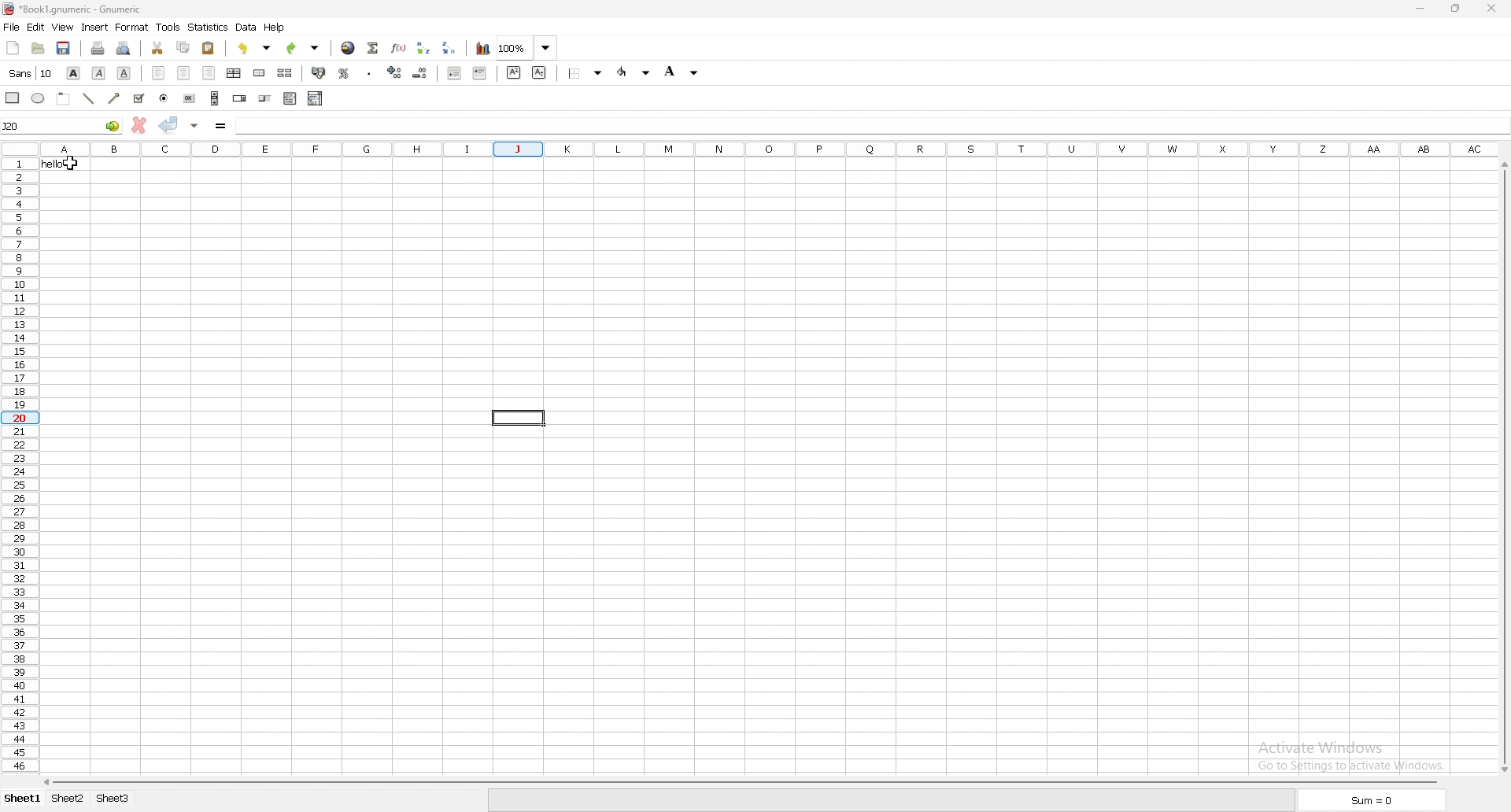 The image size is (1511, 812). What do you see at coordinates (1374, 800) in the screenshot?
I see `sum` at bounding box center [1374, 800].